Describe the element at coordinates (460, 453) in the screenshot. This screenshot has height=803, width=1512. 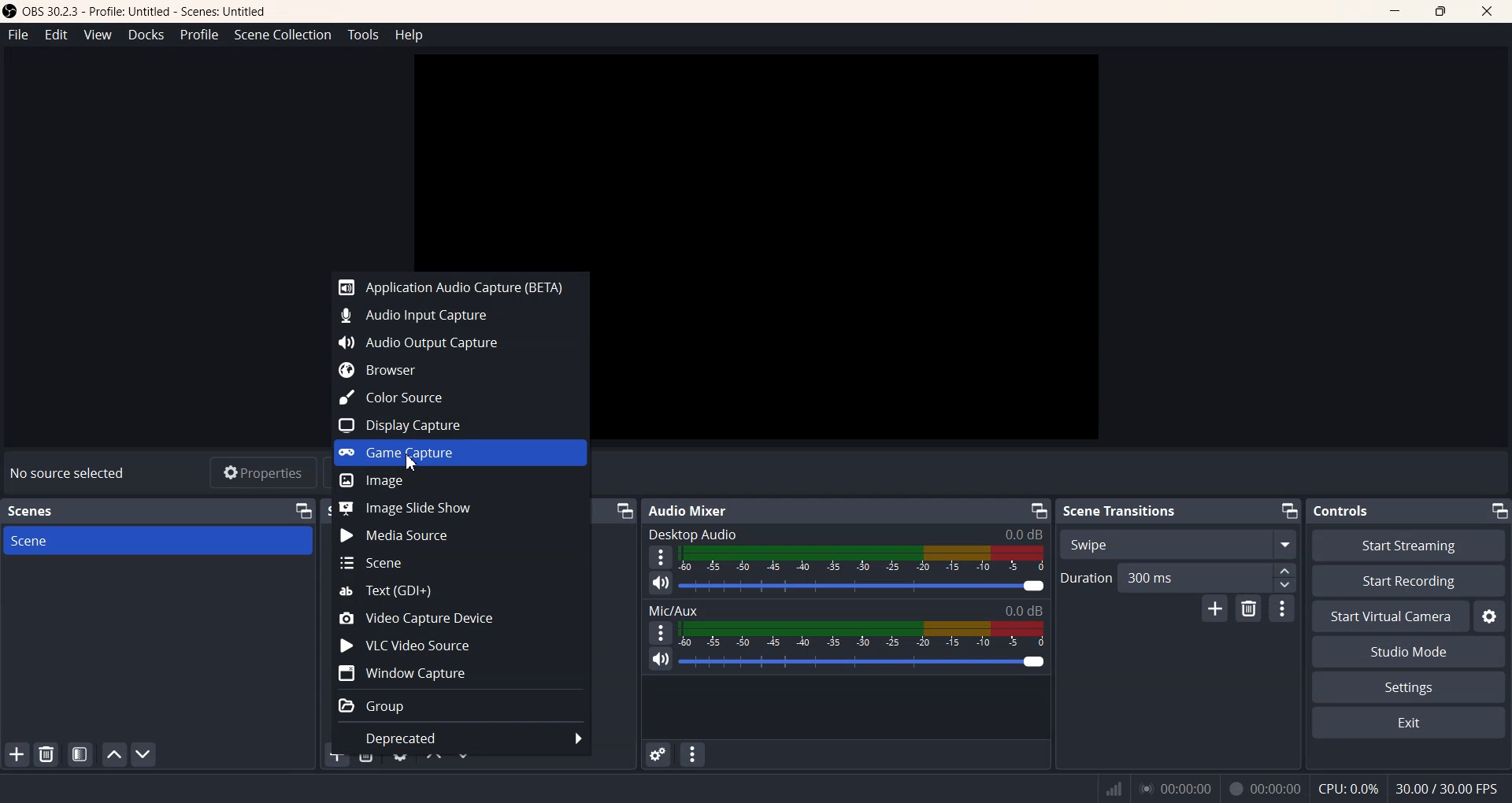
I see `Game Capture` at that location.